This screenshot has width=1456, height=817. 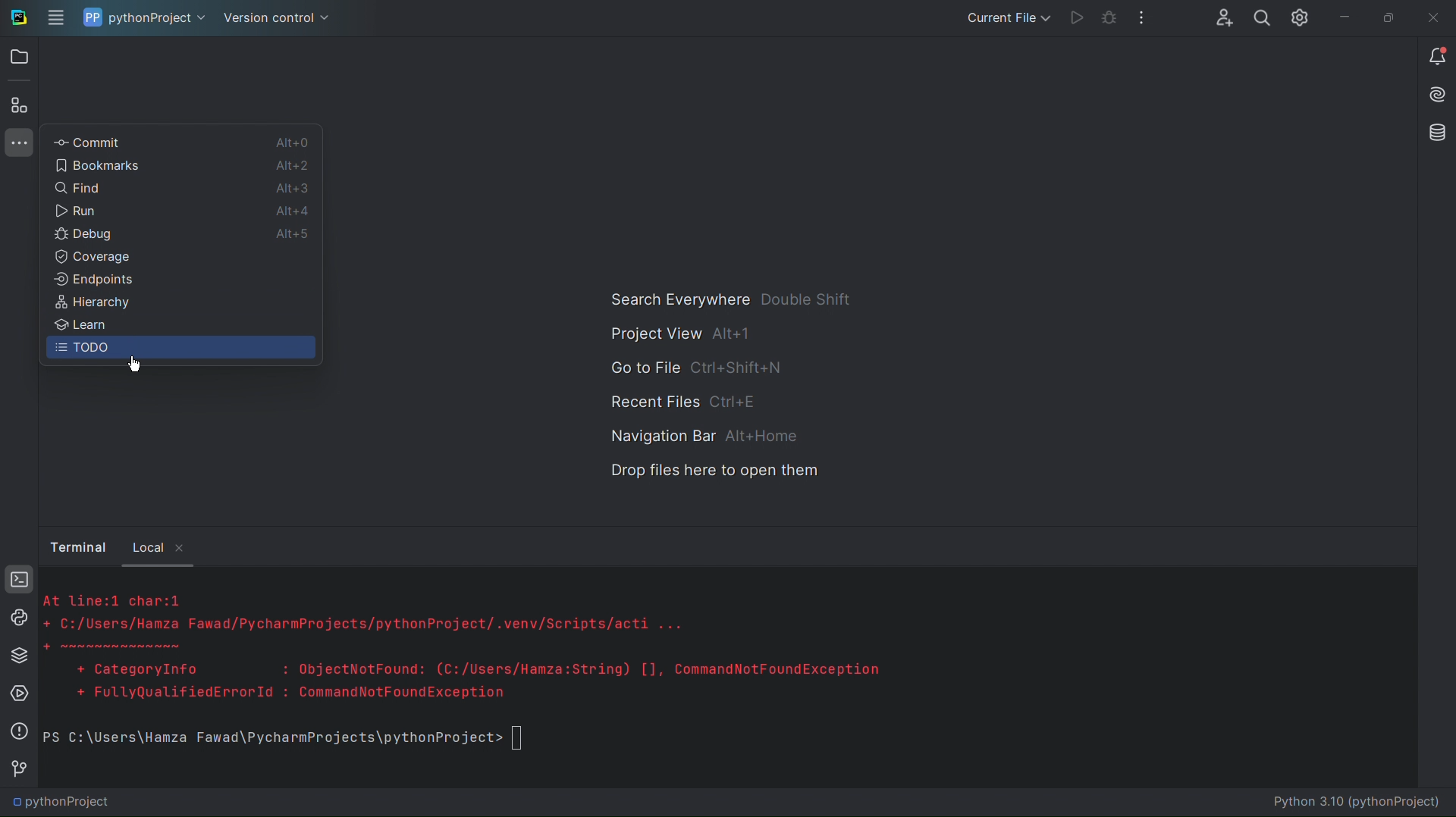 I want to click on Go to File ctrl+shift+n, so click(x=698, y=368).